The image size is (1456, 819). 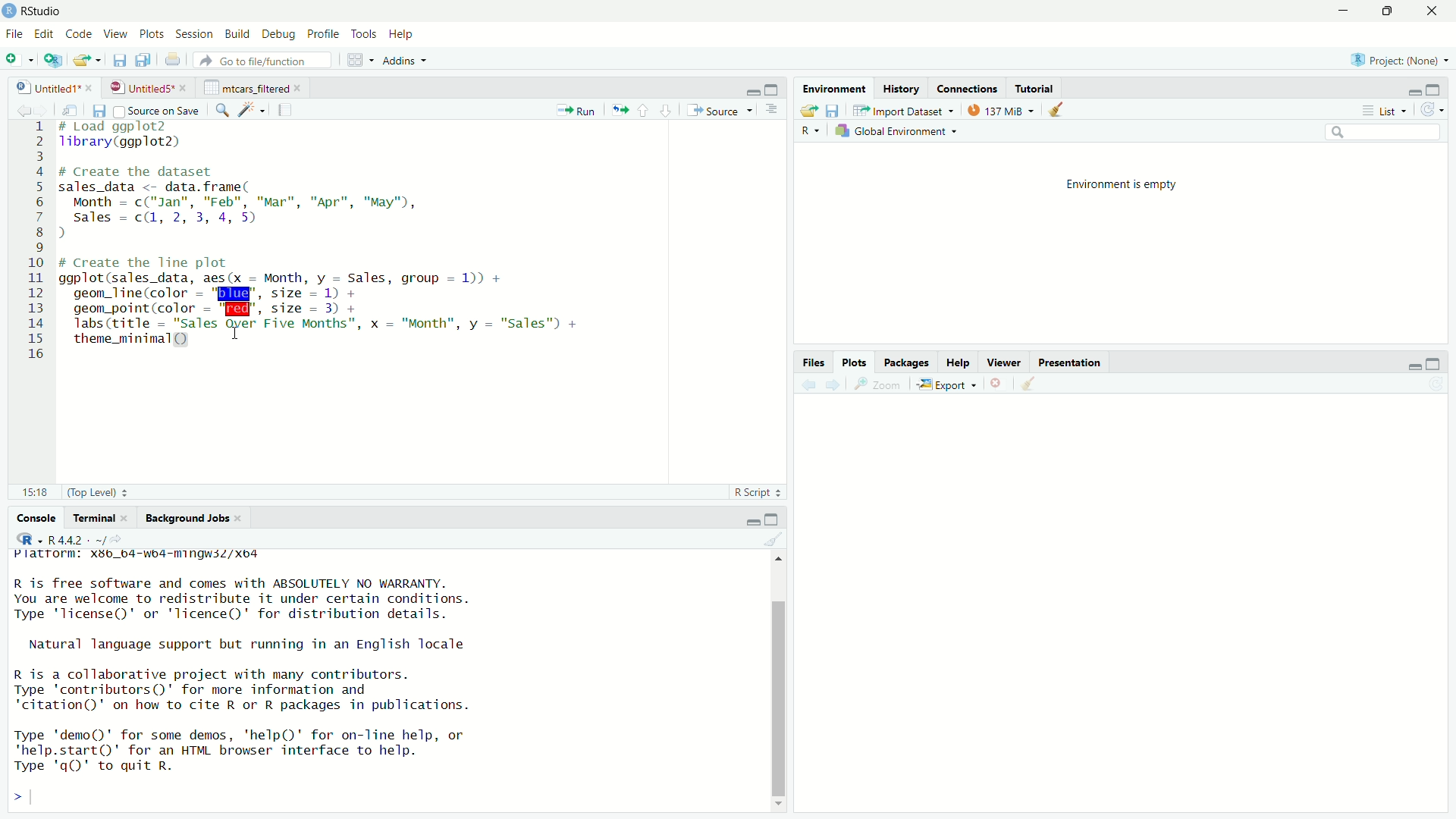 What do you see at coordinates (325, 34) in the screenshot?
I see `profile` at bounding box center [325, 34].